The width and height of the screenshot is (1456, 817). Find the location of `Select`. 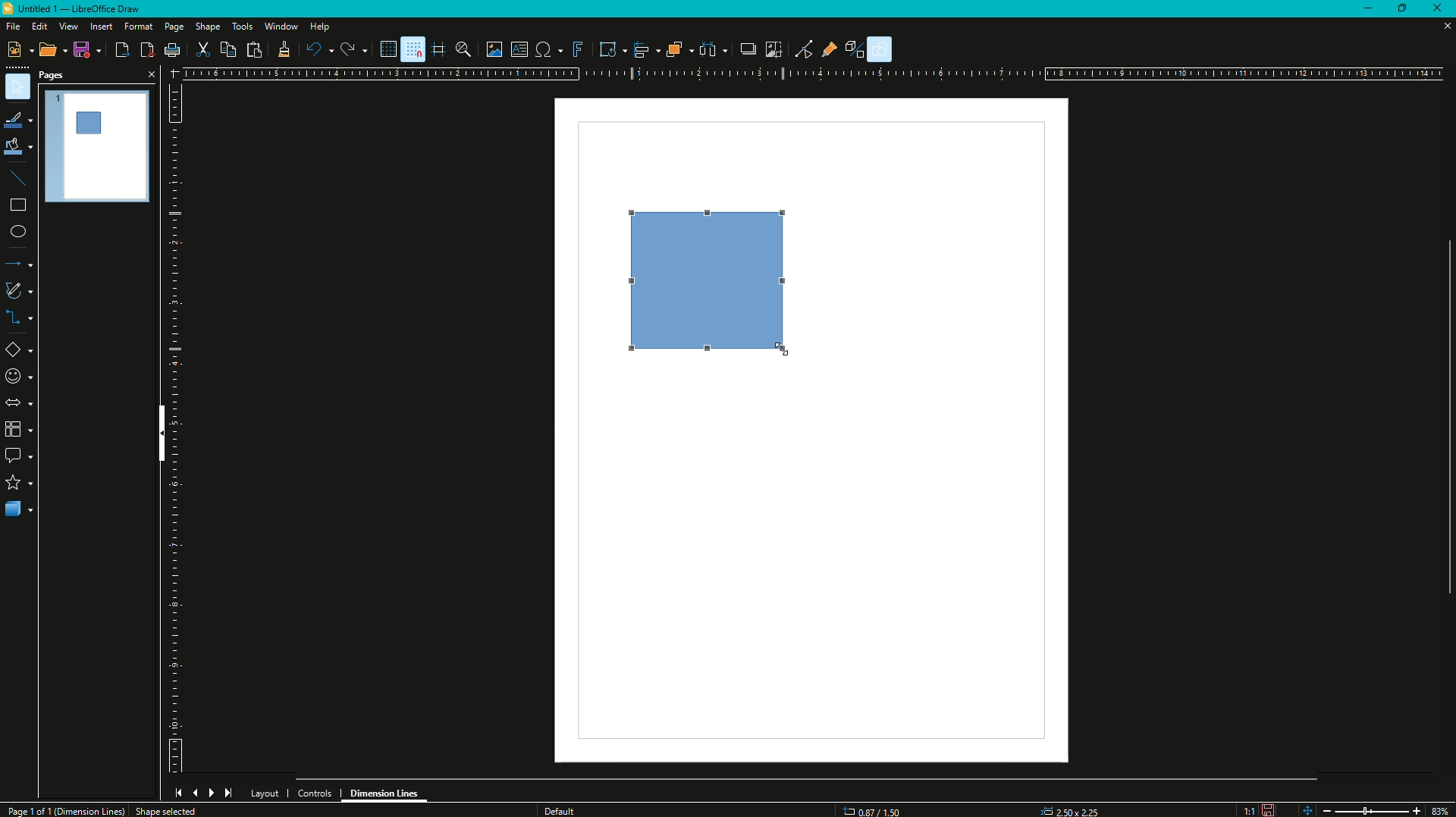

Select is located at coordinates (18, 87).